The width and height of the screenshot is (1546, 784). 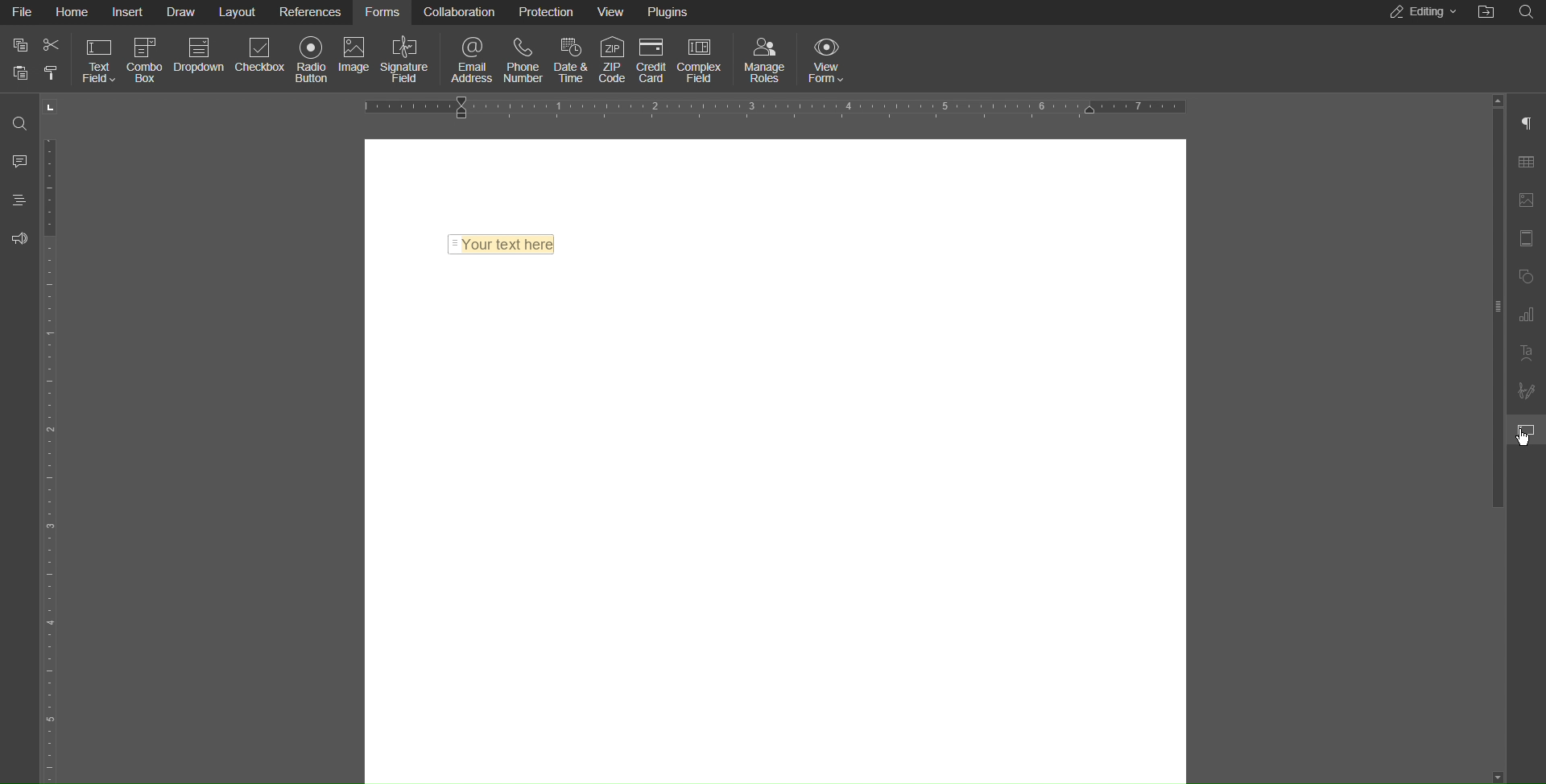 What do you see at coordinates (261, 56) in the screenshot?
I see `Checkbox` at bounding box center [261, 56].